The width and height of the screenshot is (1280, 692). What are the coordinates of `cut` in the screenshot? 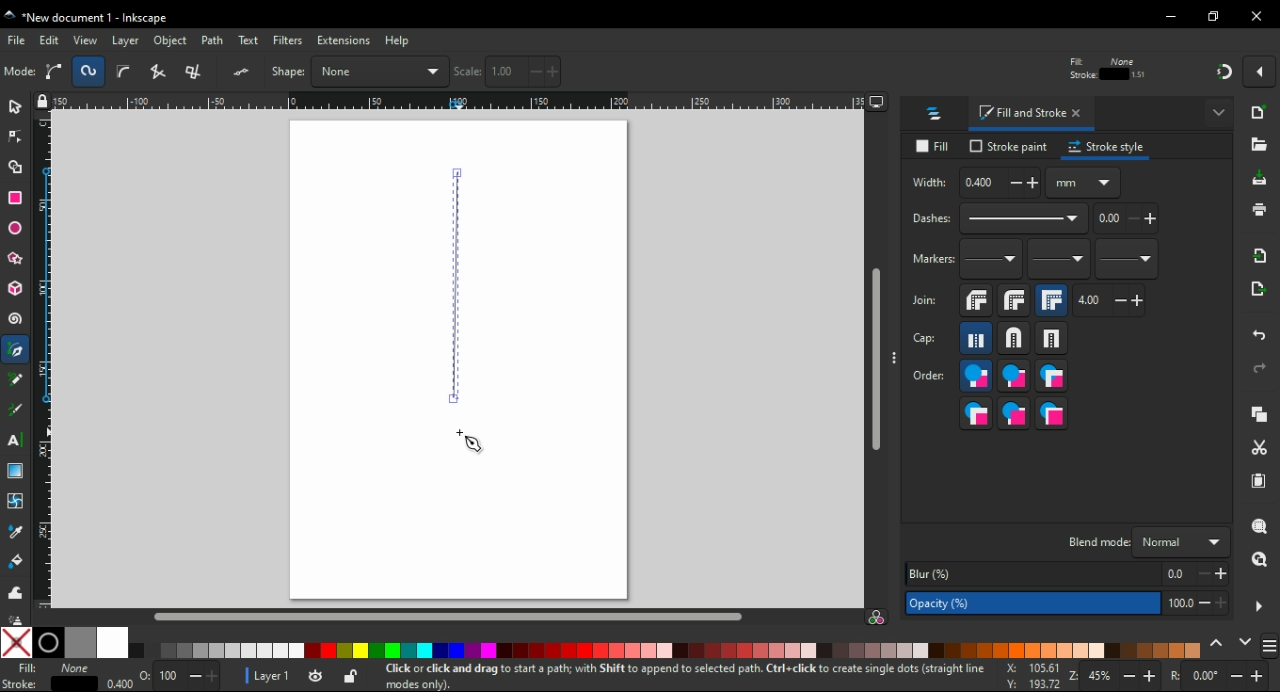 It's located at (1258, 449).